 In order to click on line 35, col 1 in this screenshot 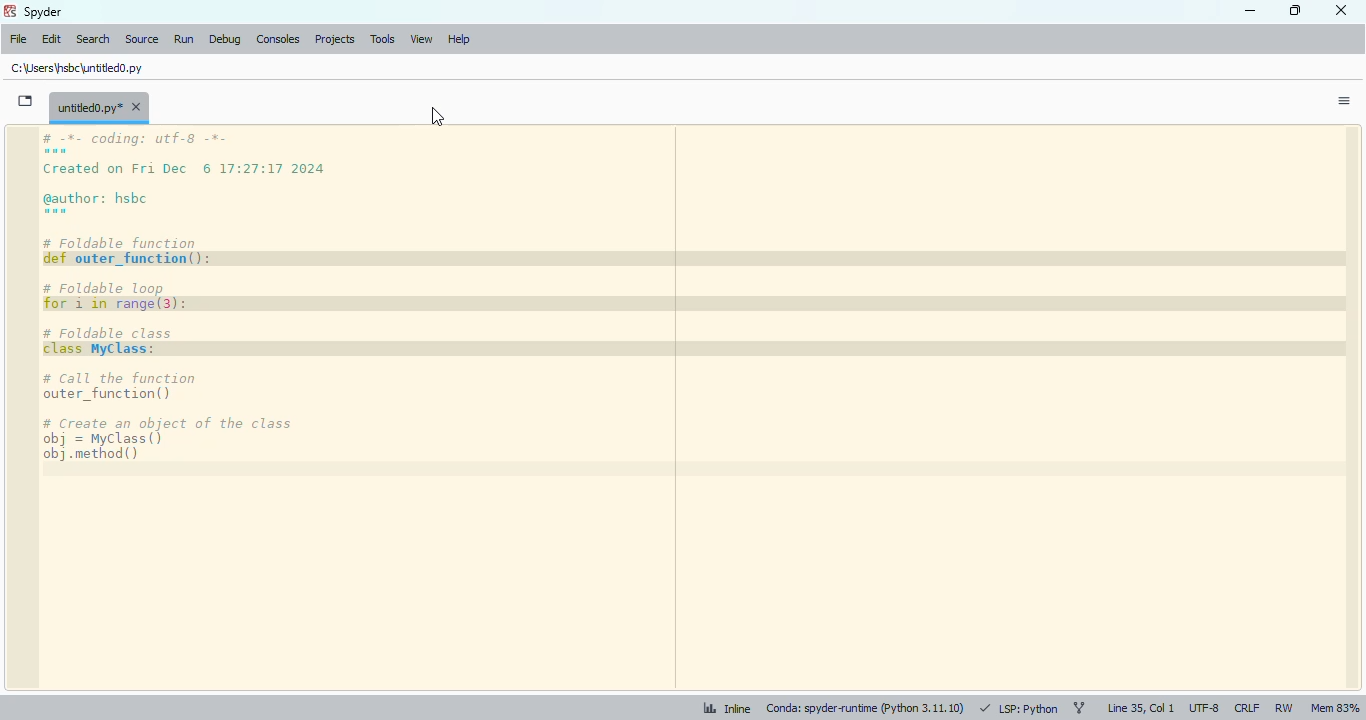, I will do `click(1141, 708)`.